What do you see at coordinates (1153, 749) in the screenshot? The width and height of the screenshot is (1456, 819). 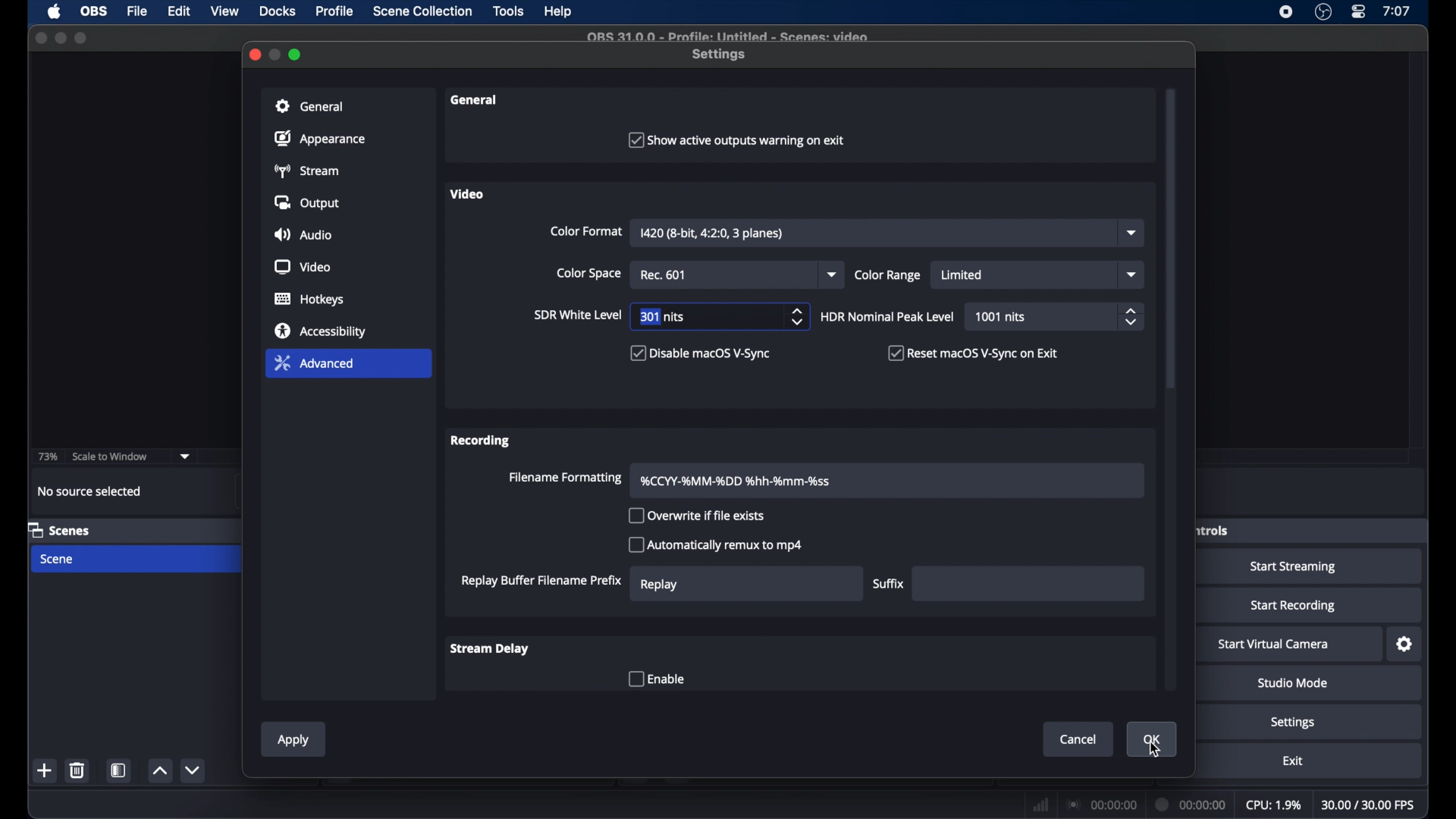 I see `cursor` at bounding box center [1153, 749].